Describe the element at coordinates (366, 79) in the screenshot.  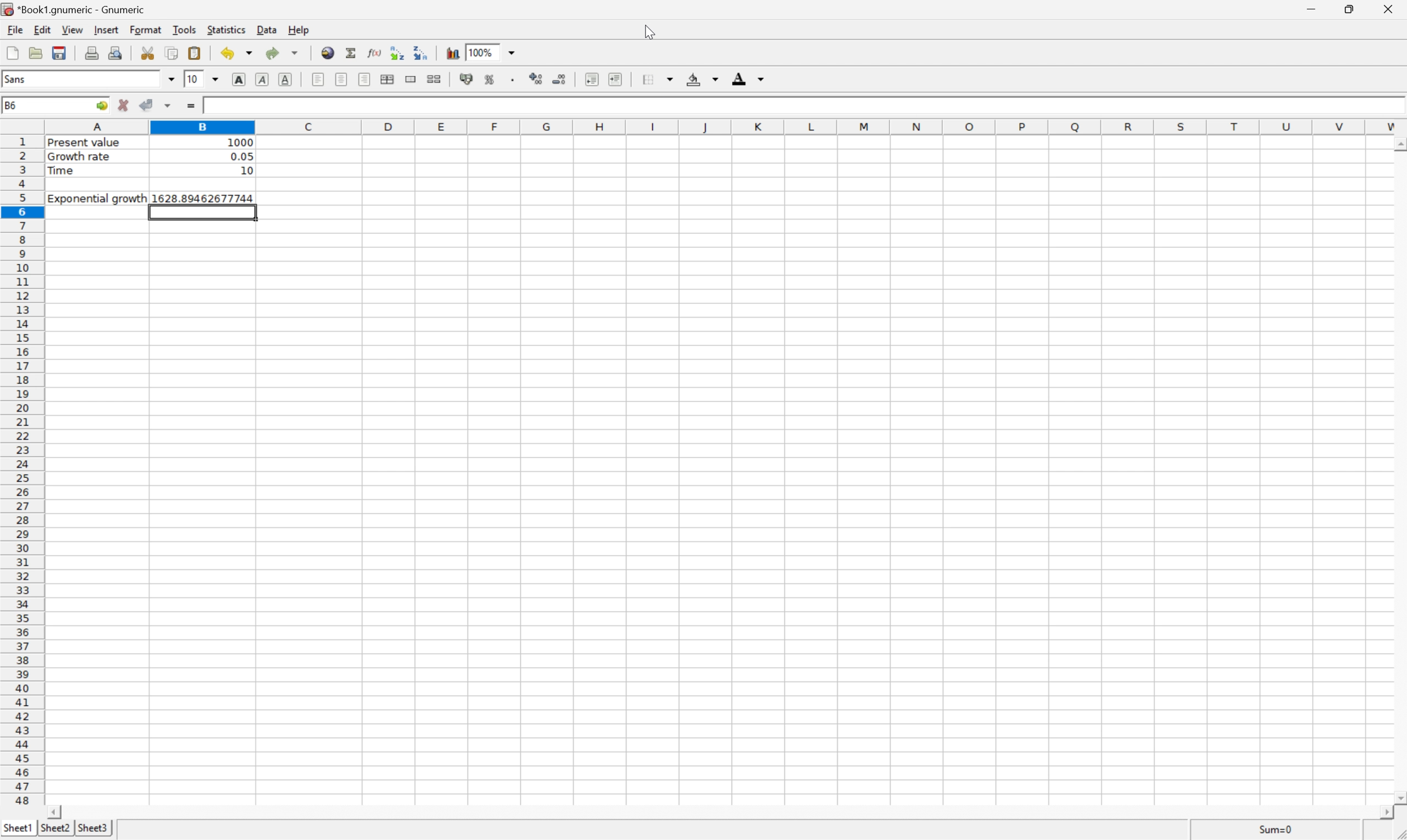
I see `Align Right` at that location.